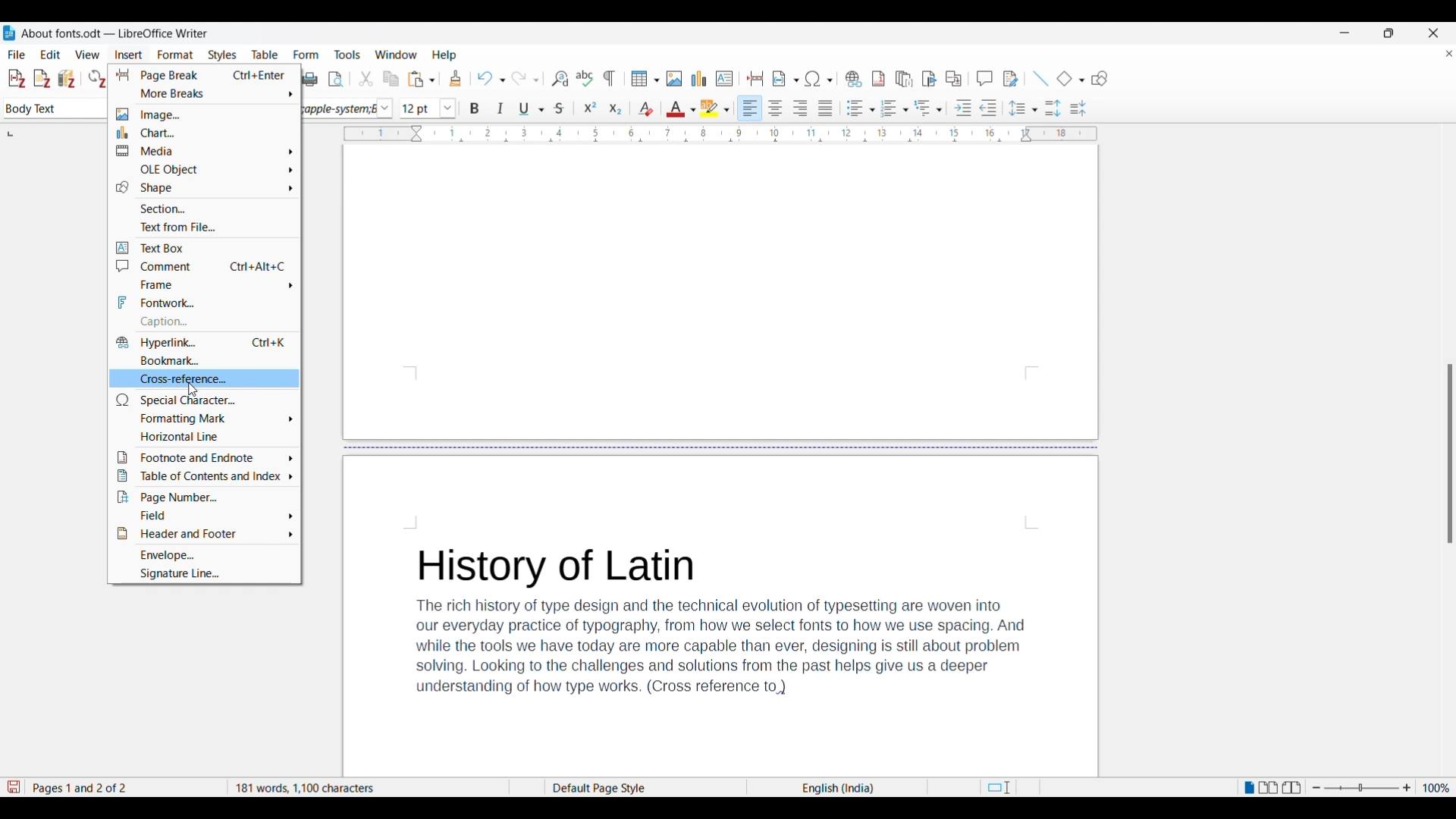 This screenshot has height=819, width=1456. What do you see at coordinates (1361, 789) in the screenshot?
I see `Change zoom slider` at bounding box center [1361, 789].